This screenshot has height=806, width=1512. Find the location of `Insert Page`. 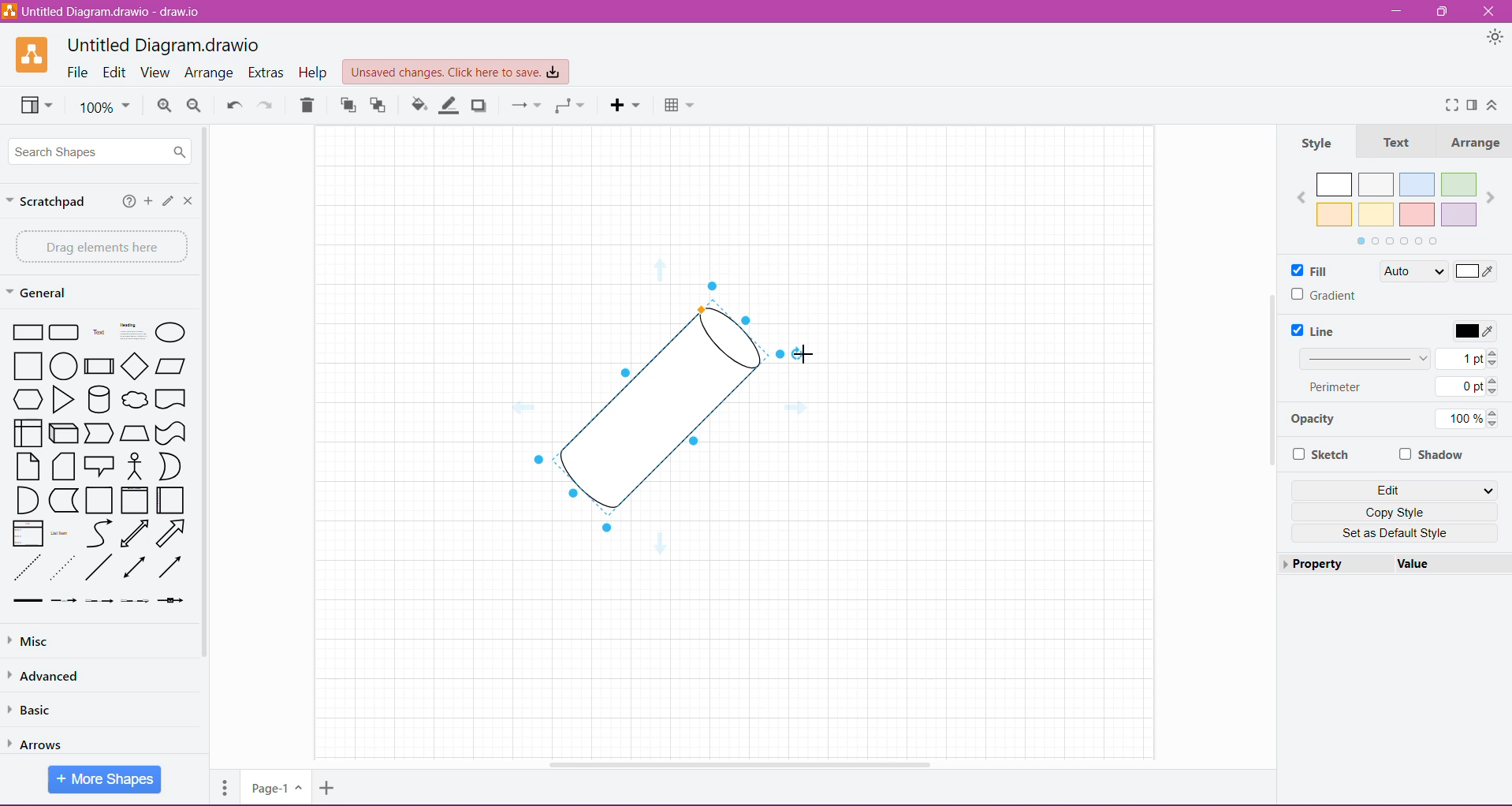

Insert Page is located at coordinates (326, 790).